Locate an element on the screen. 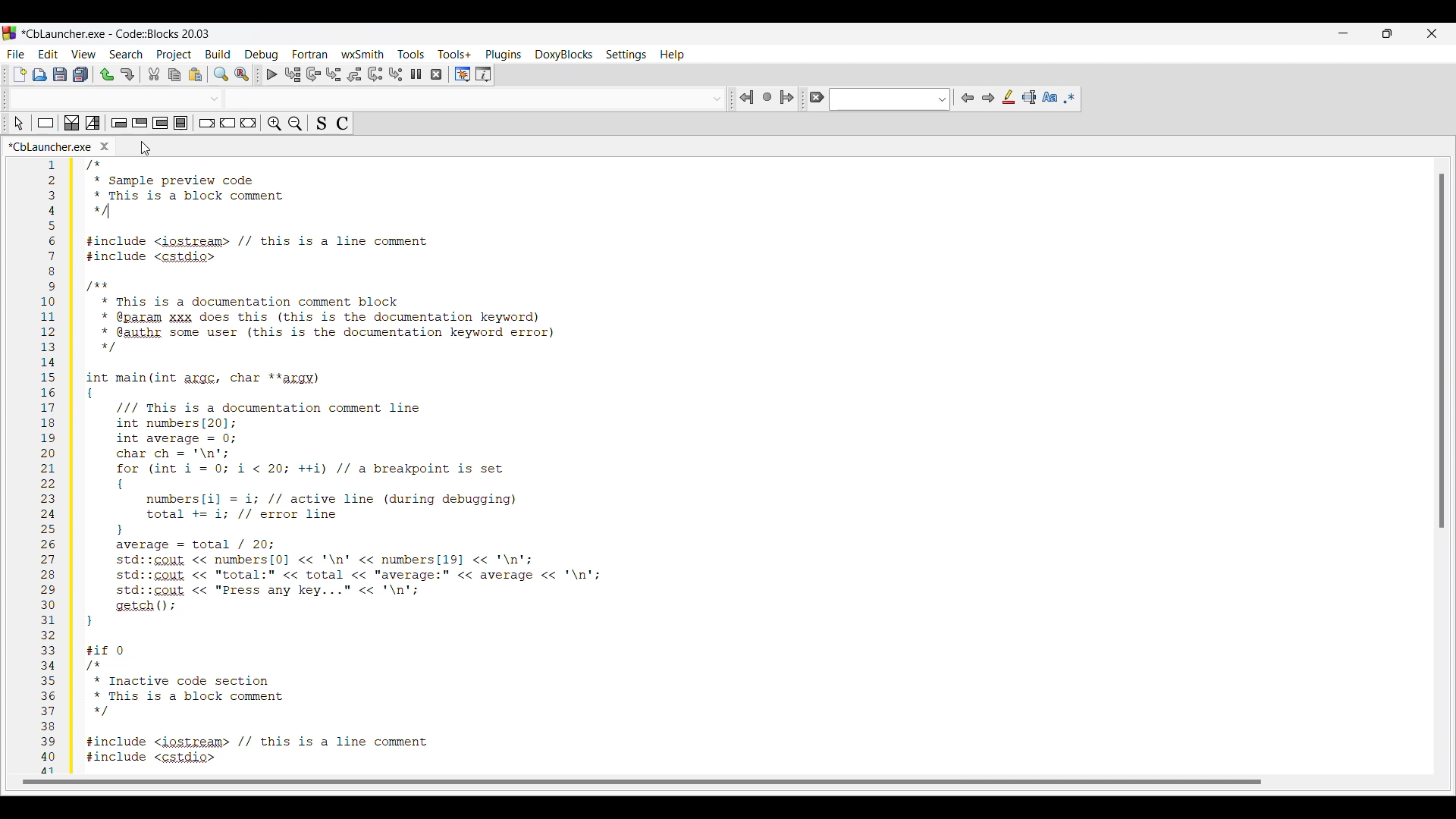 The height and width of the screenshot is (819, 1456). Show interface in a smaller tab is located at coordinates (1388, 33).